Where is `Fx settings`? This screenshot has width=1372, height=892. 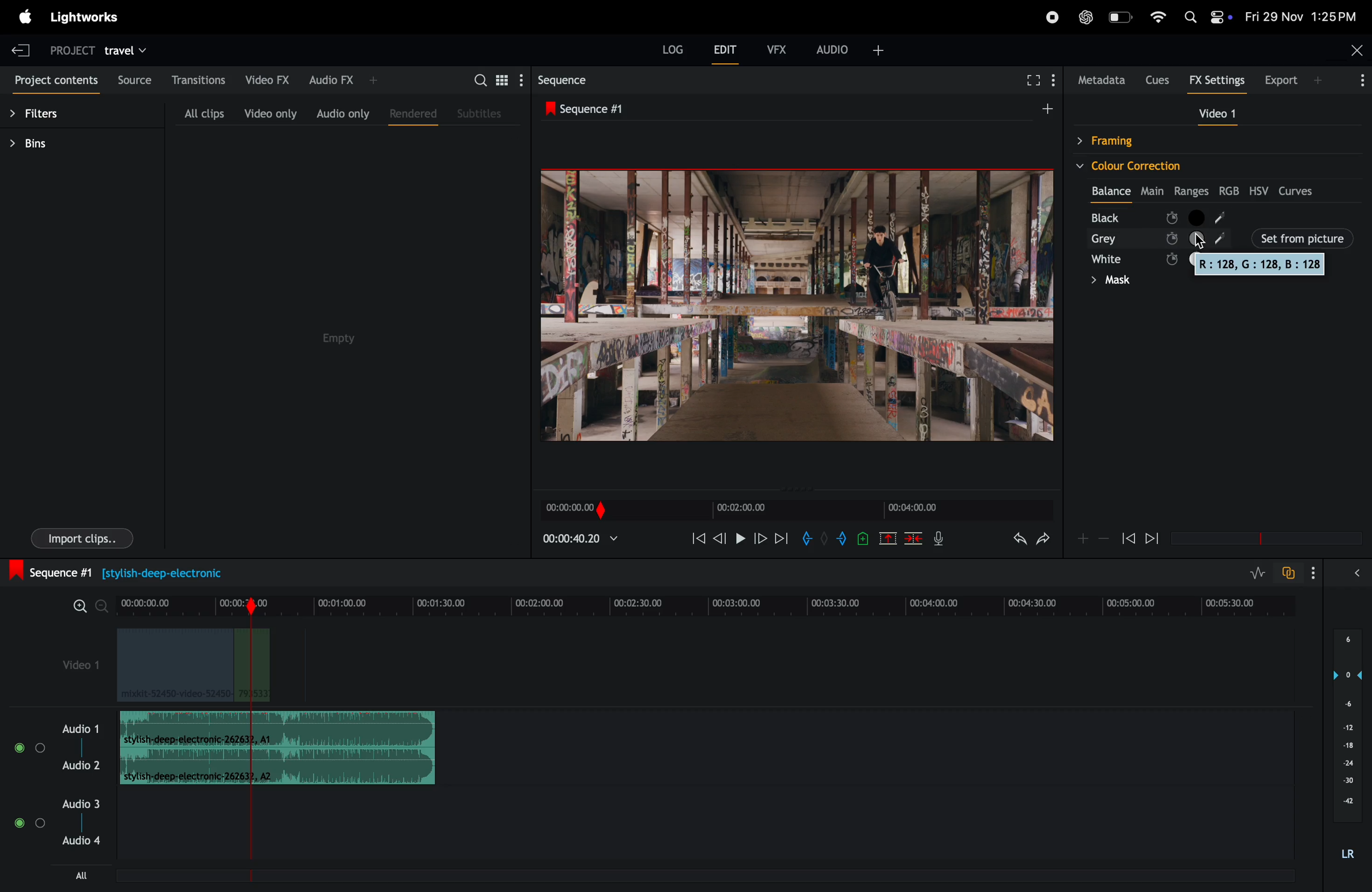 Fx settings is located at coordinates (1217, 82).